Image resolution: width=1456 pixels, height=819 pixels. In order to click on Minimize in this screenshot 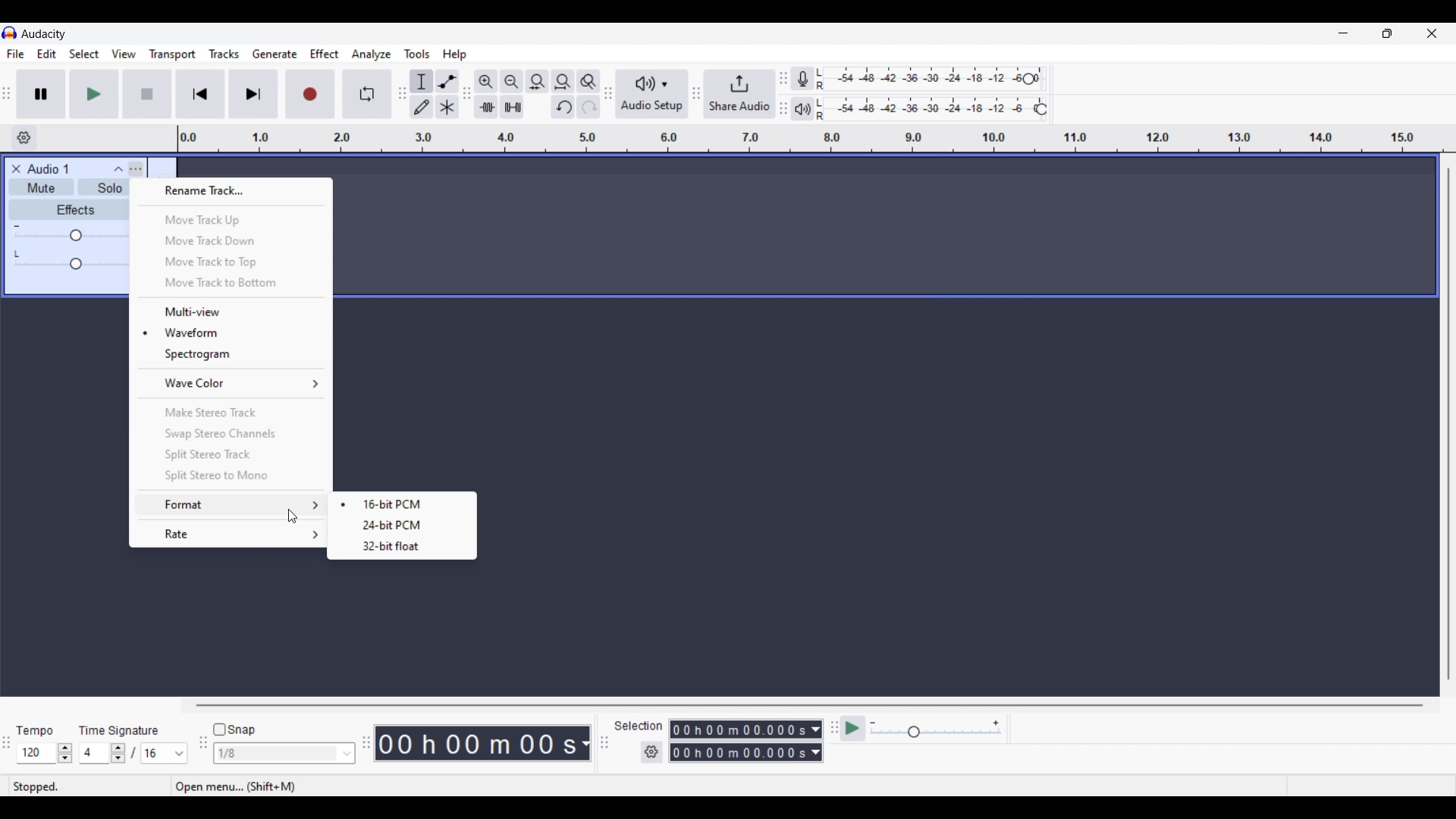, I will do `click(1343, 33)`.